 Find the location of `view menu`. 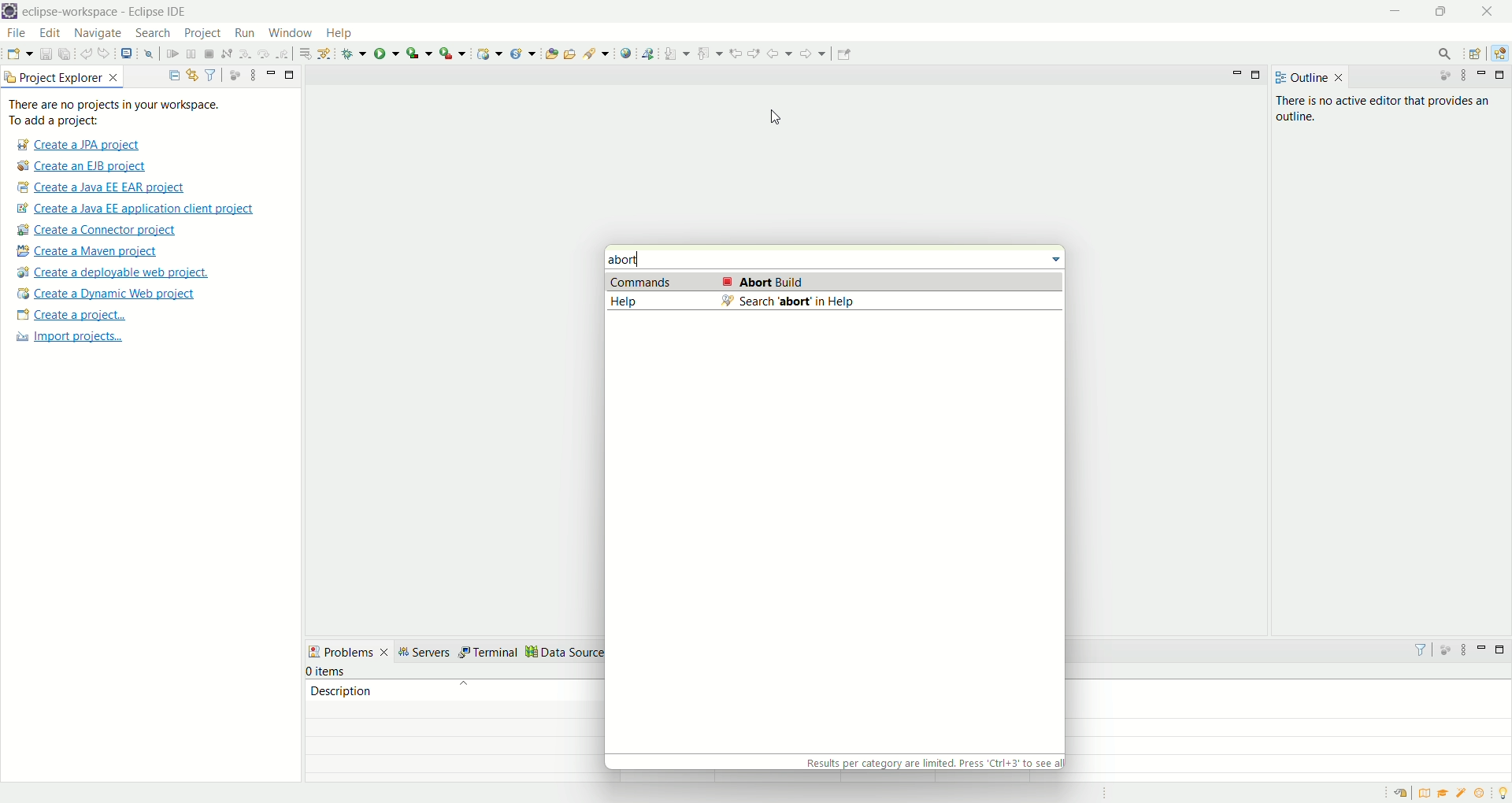

view menu is located at coordinates (1466, 648).